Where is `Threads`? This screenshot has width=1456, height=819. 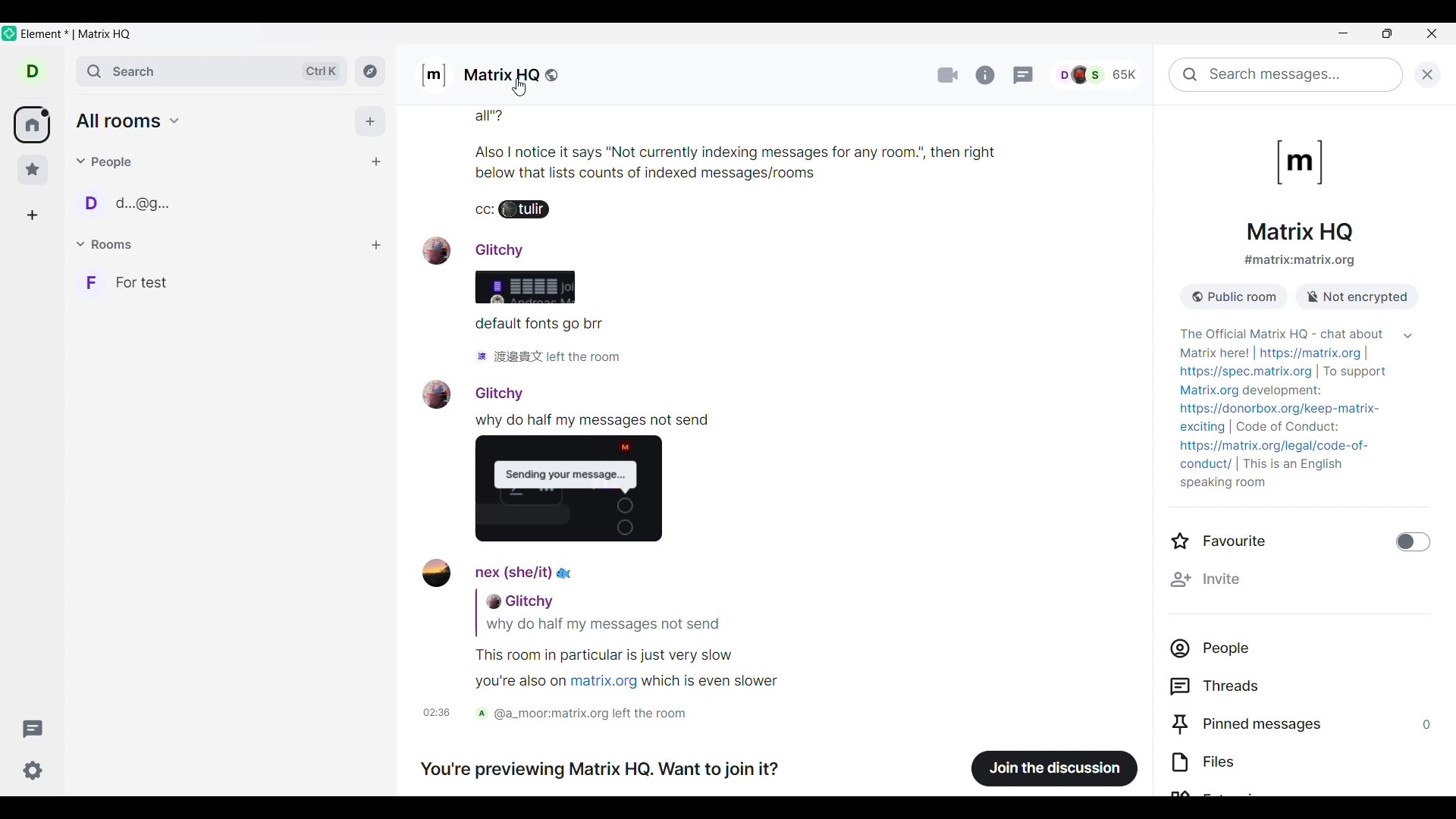 Threads is located at coordinates (1306, 686).